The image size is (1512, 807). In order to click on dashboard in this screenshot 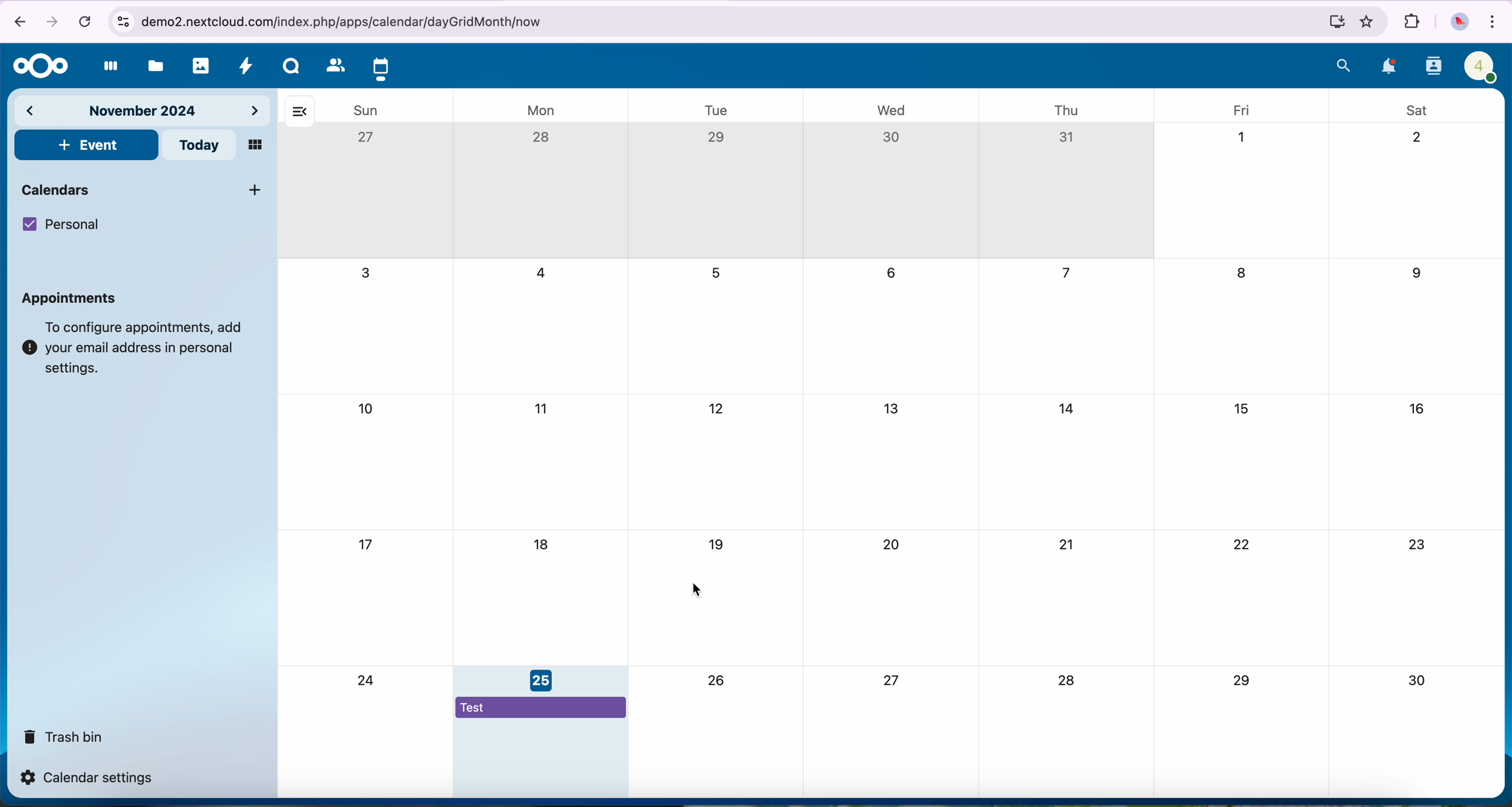, I will do `click(107, 67)`.